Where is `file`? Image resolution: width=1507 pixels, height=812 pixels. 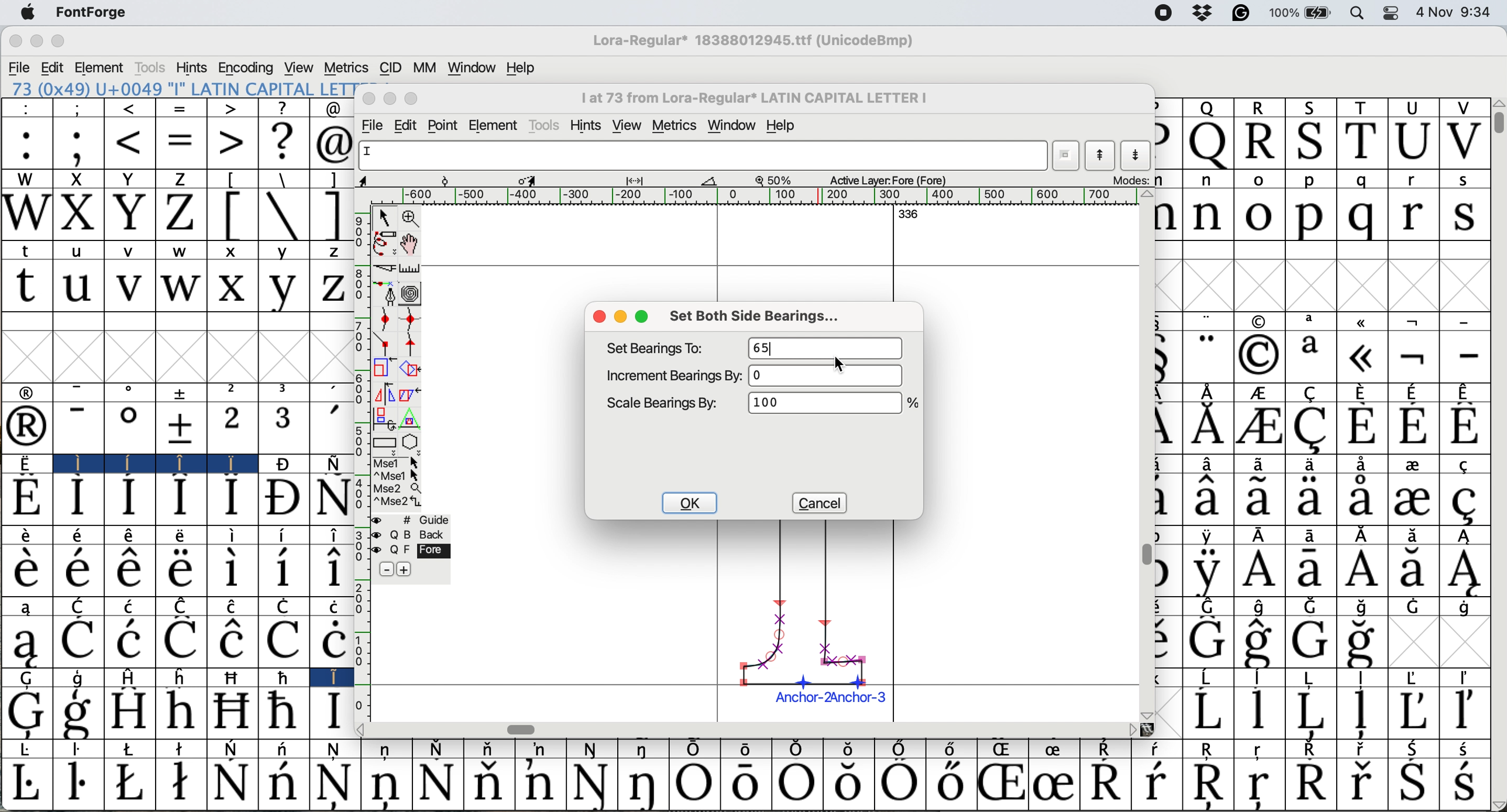 file is located at coordinates (18, 68).